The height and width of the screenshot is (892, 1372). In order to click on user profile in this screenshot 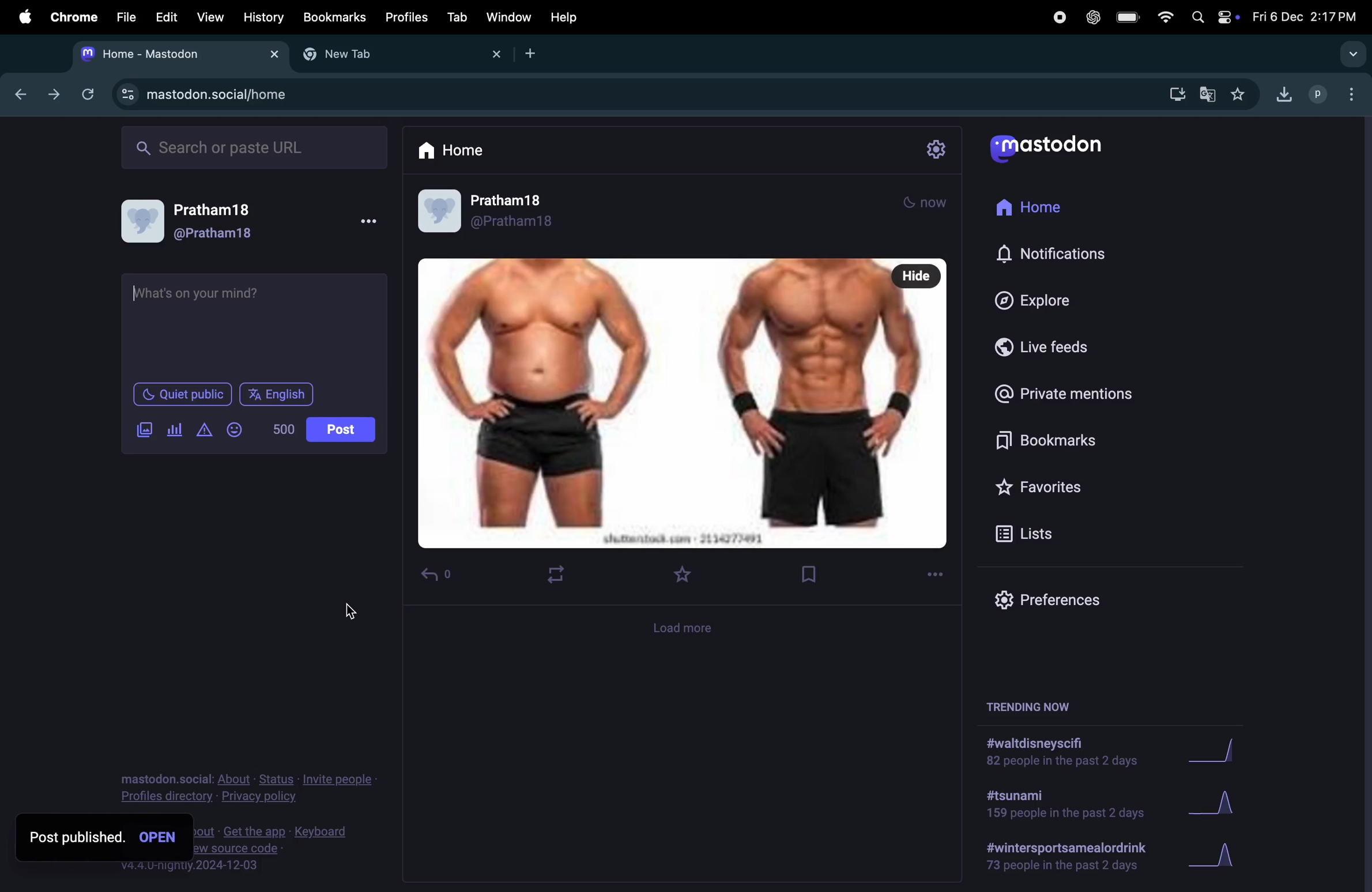, I will do `click(205, 222)`.